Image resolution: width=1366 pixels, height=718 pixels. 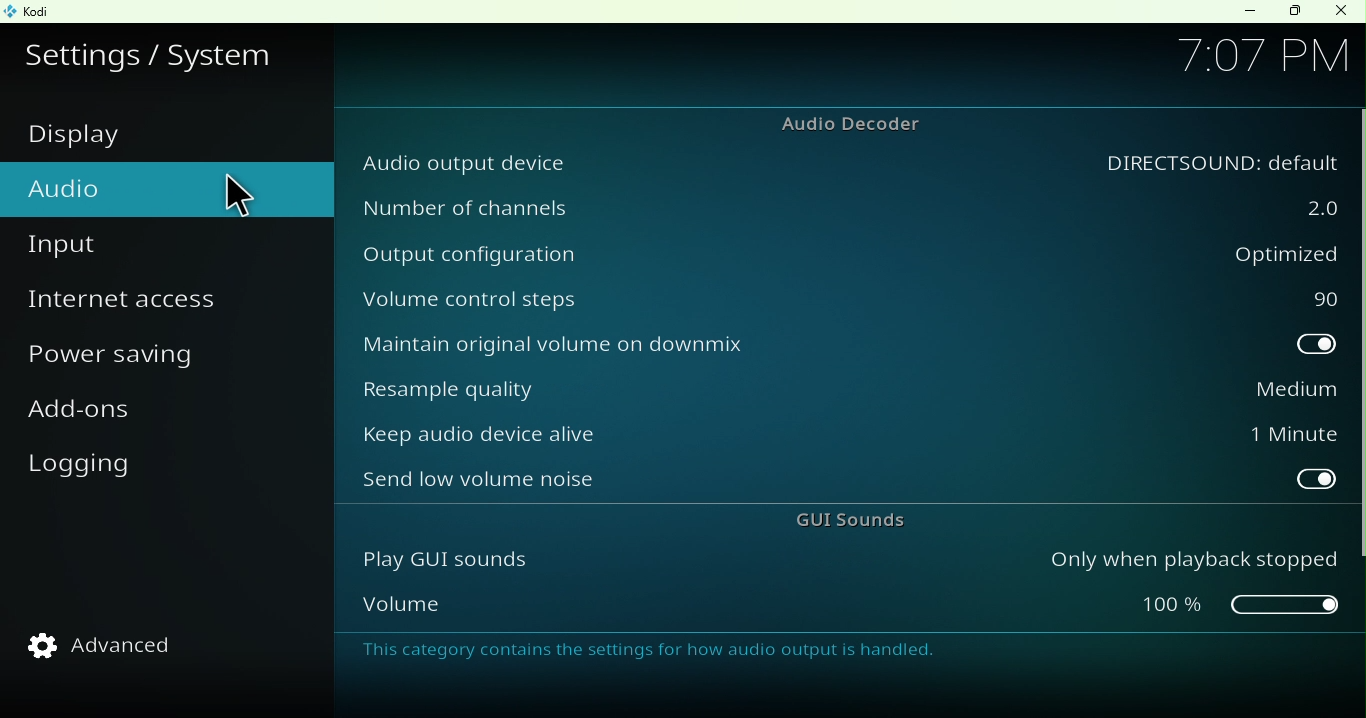 What do you see at coordinates (71, 188) in the screenshot?
I see `Audio` at bounding box center [71, 188].